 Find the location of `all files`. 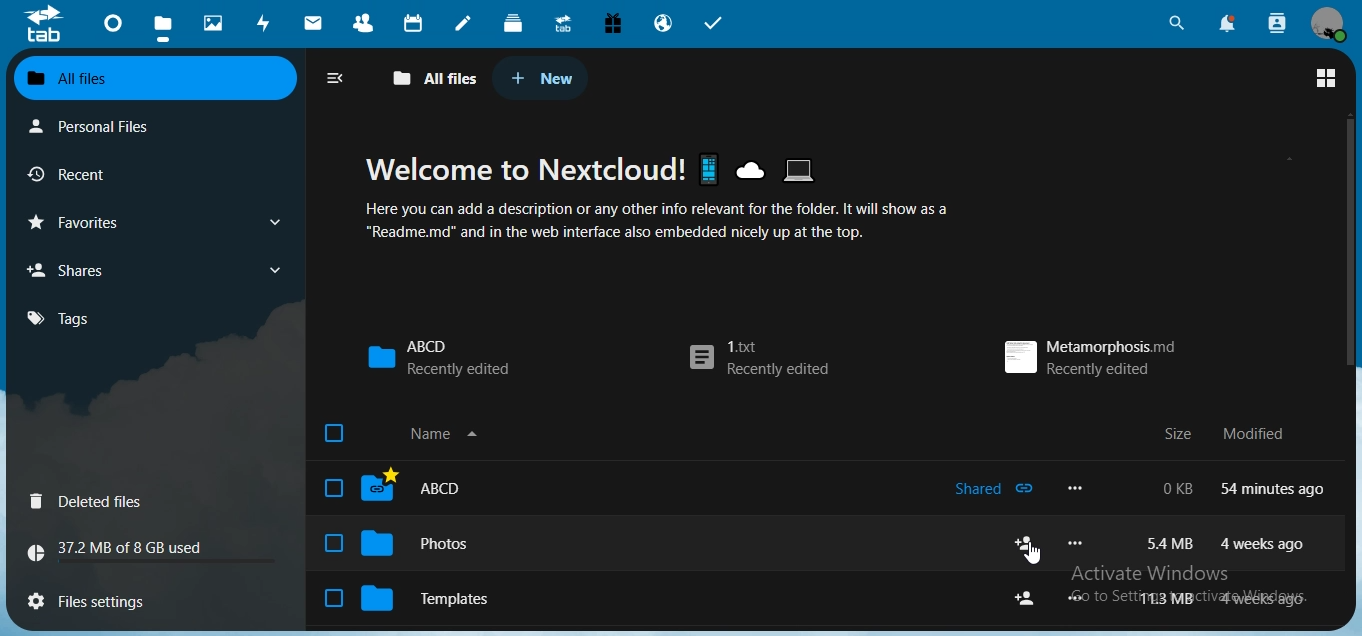

all files is located at coordinates (152, 79).